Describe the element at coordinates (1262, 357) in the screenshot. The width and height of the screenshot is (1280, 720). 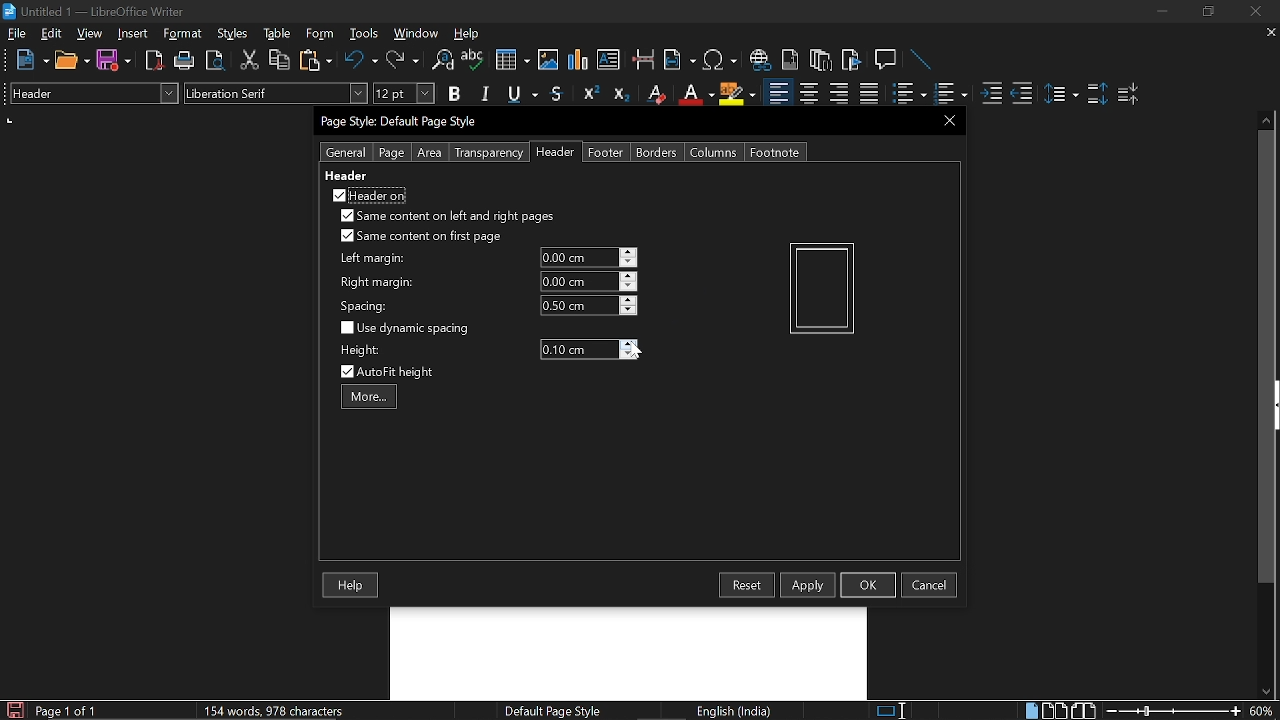
I see `vertical scrollbar` at that location.